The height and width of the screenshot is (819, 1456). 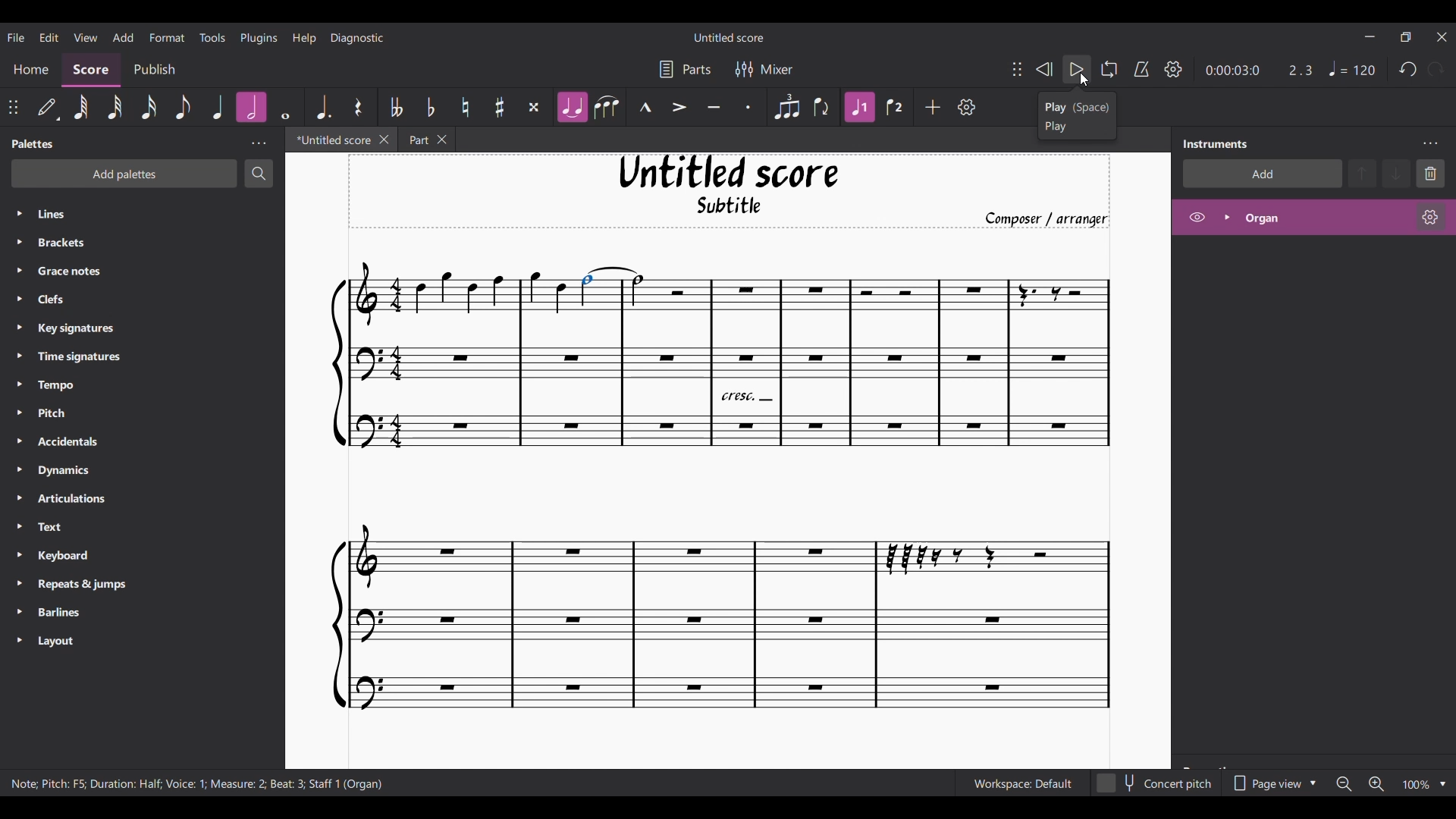 What do you see at coordinates (49, 108) in the screenshot?
I see `Default` at bounding box center [49, 108].